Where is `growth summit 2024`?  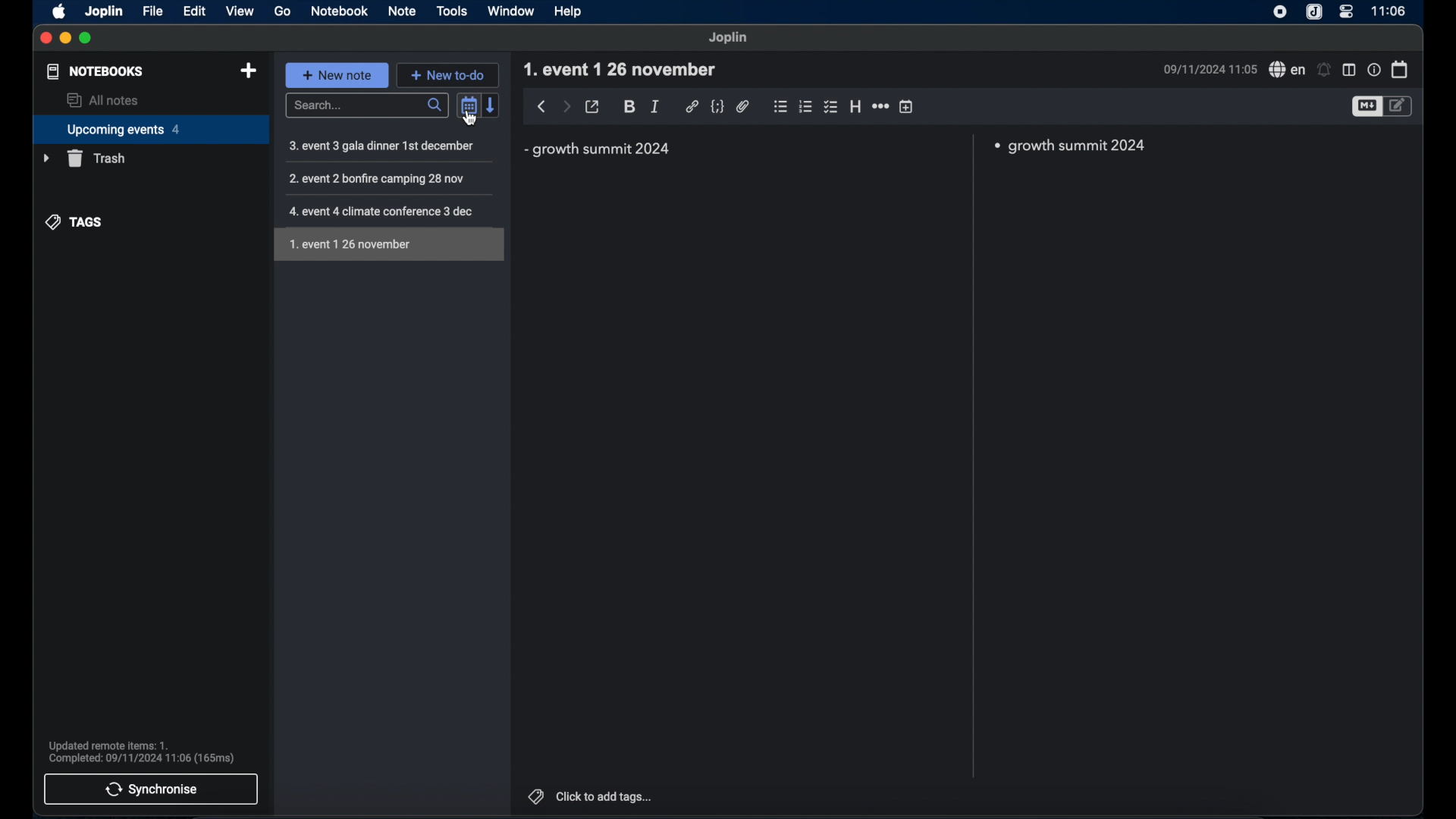 growth summit 2024 is located at coordinates (1075, 146).